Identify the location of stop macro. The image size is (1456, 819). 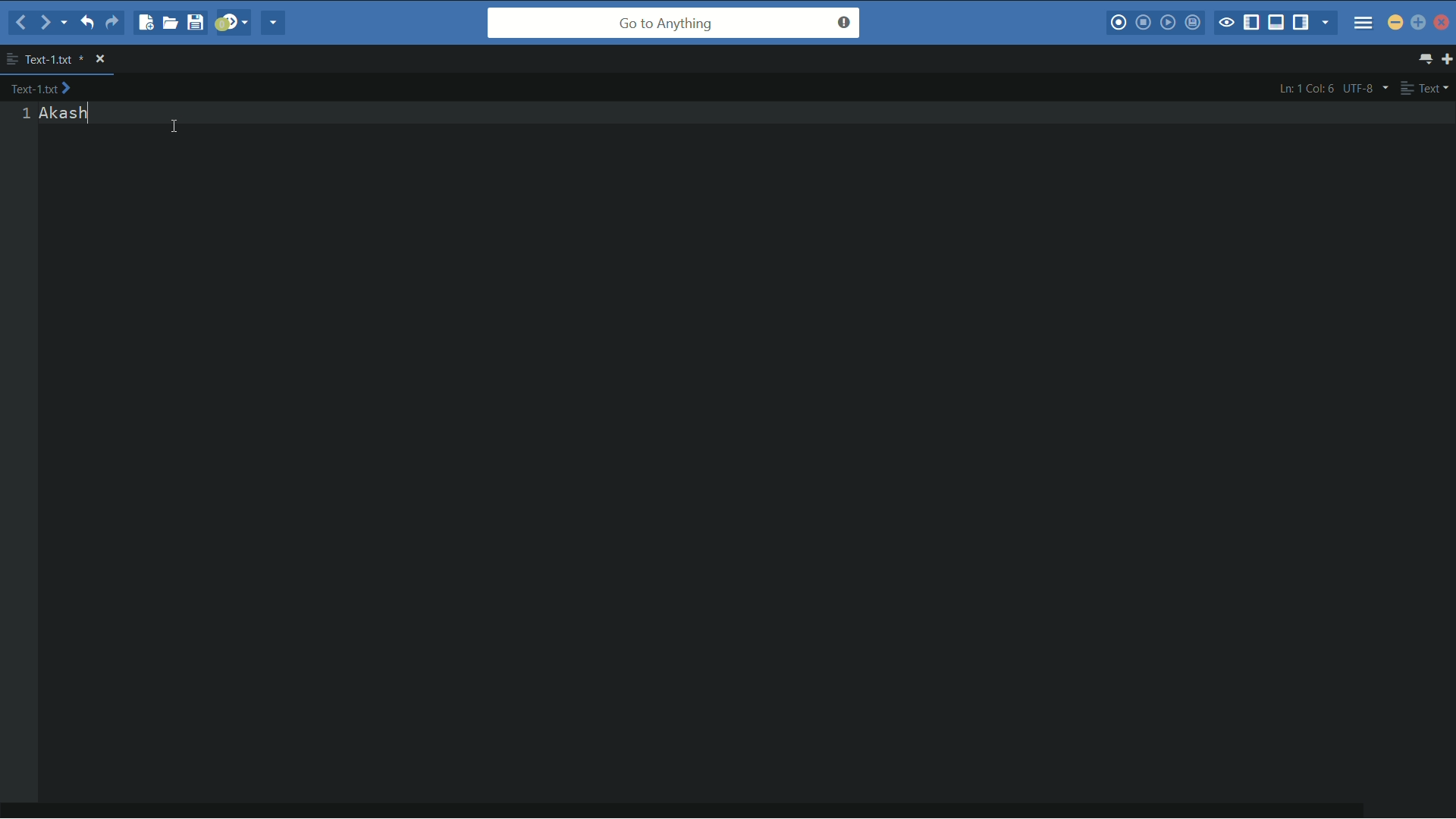
(1144, 22).